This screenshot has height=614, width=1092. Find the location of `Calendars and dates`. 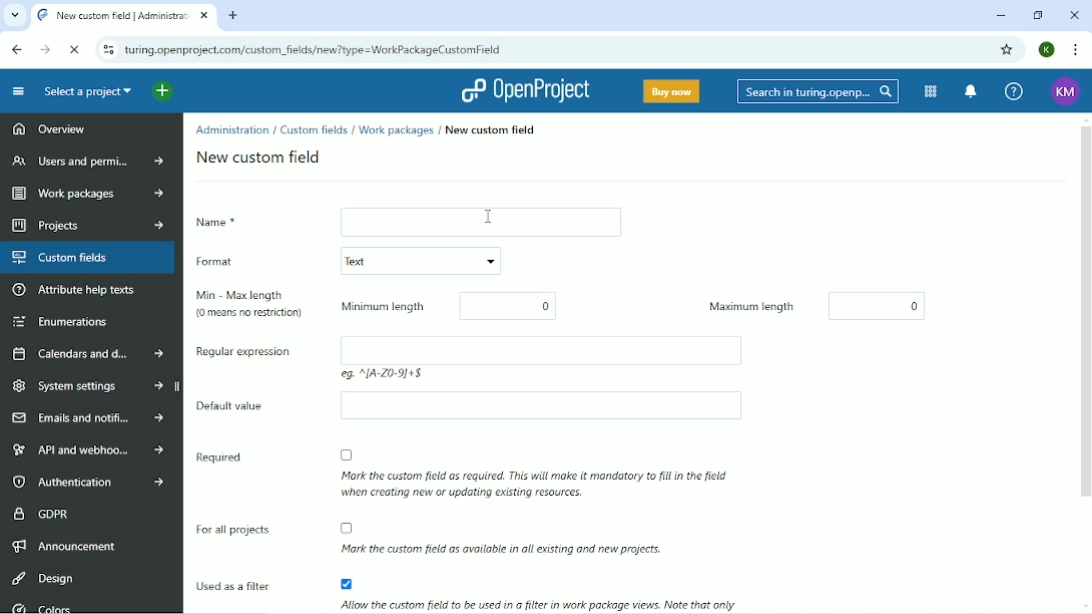

Calendars and dates is located at coordinates (89, 355).